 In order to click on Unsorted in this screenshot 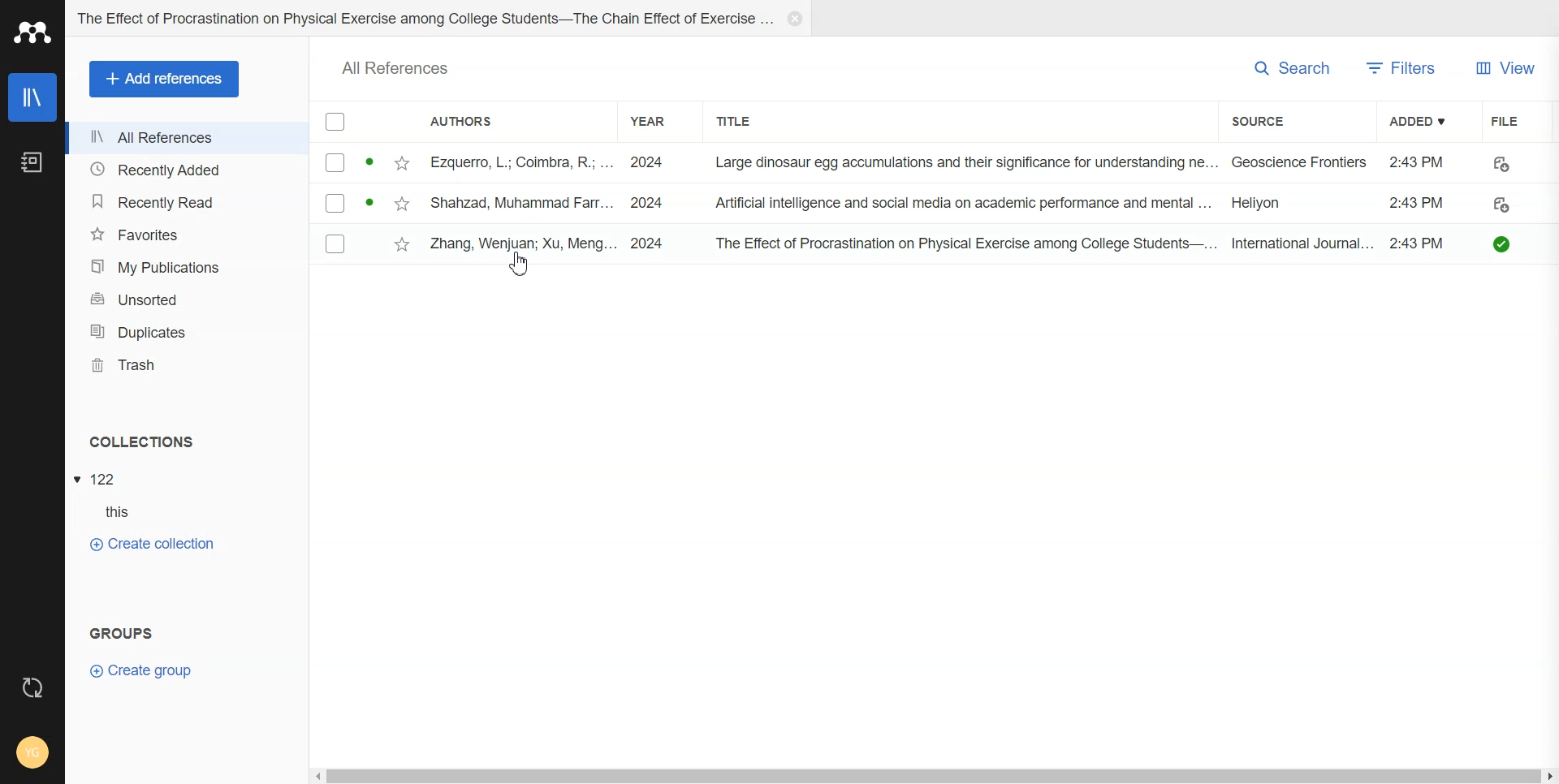, I will do `click(191, 299)`.